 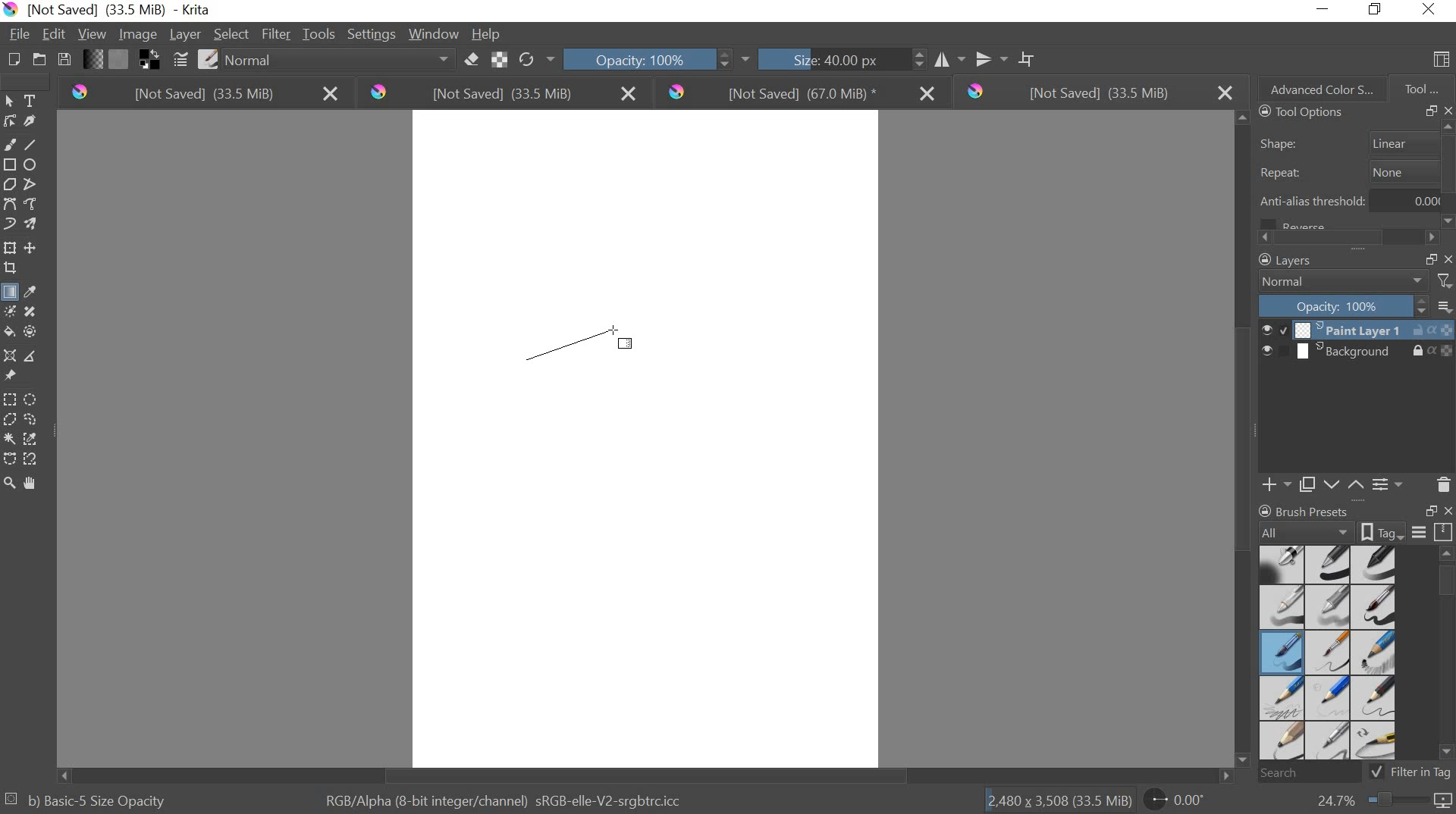 What do you see at coordinates (30, 165) in the screenshot?
I see `ellipses` at bounding box center [30, 165].